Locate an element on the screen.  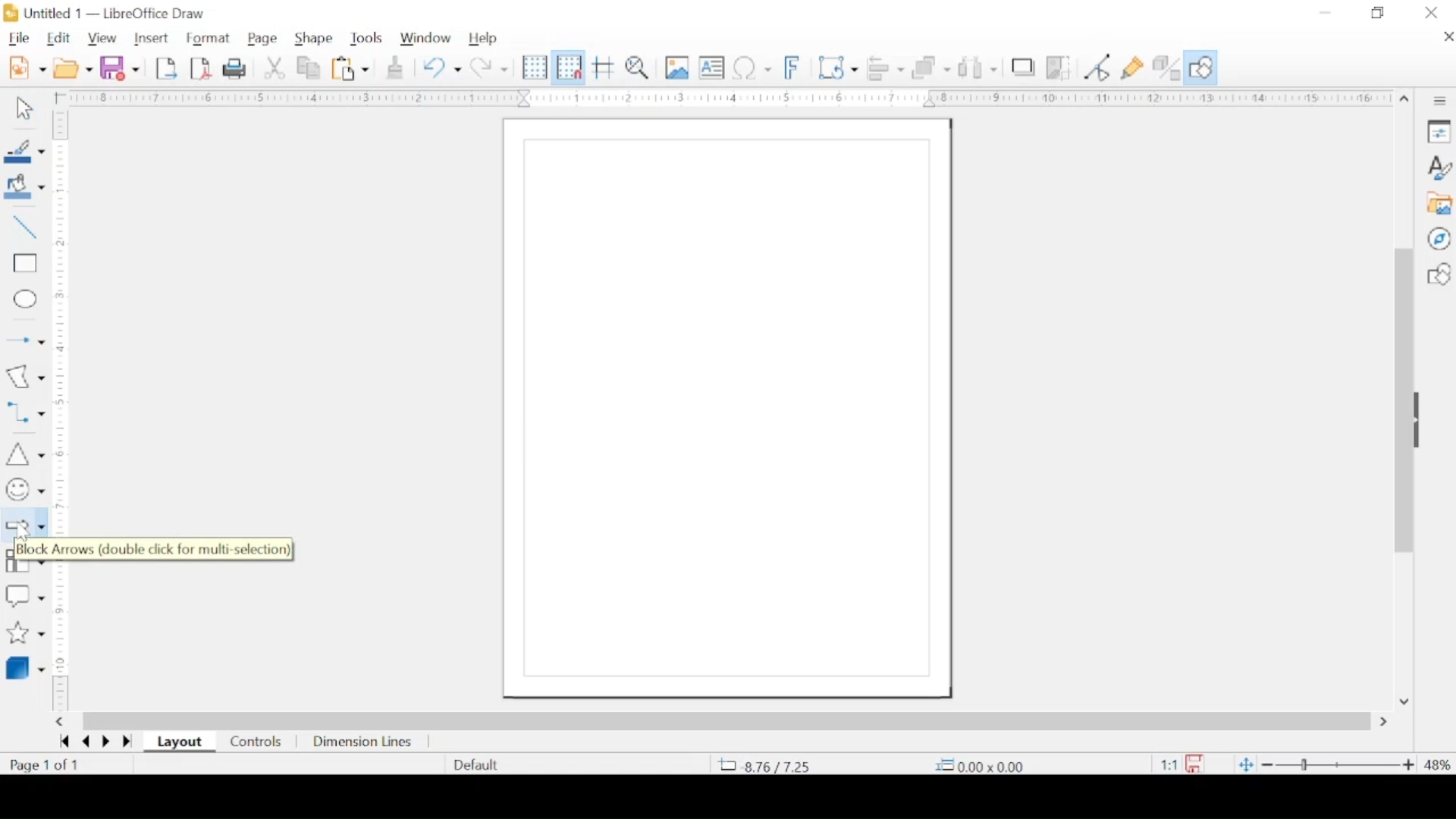
file is located at coordinates (19, 39).